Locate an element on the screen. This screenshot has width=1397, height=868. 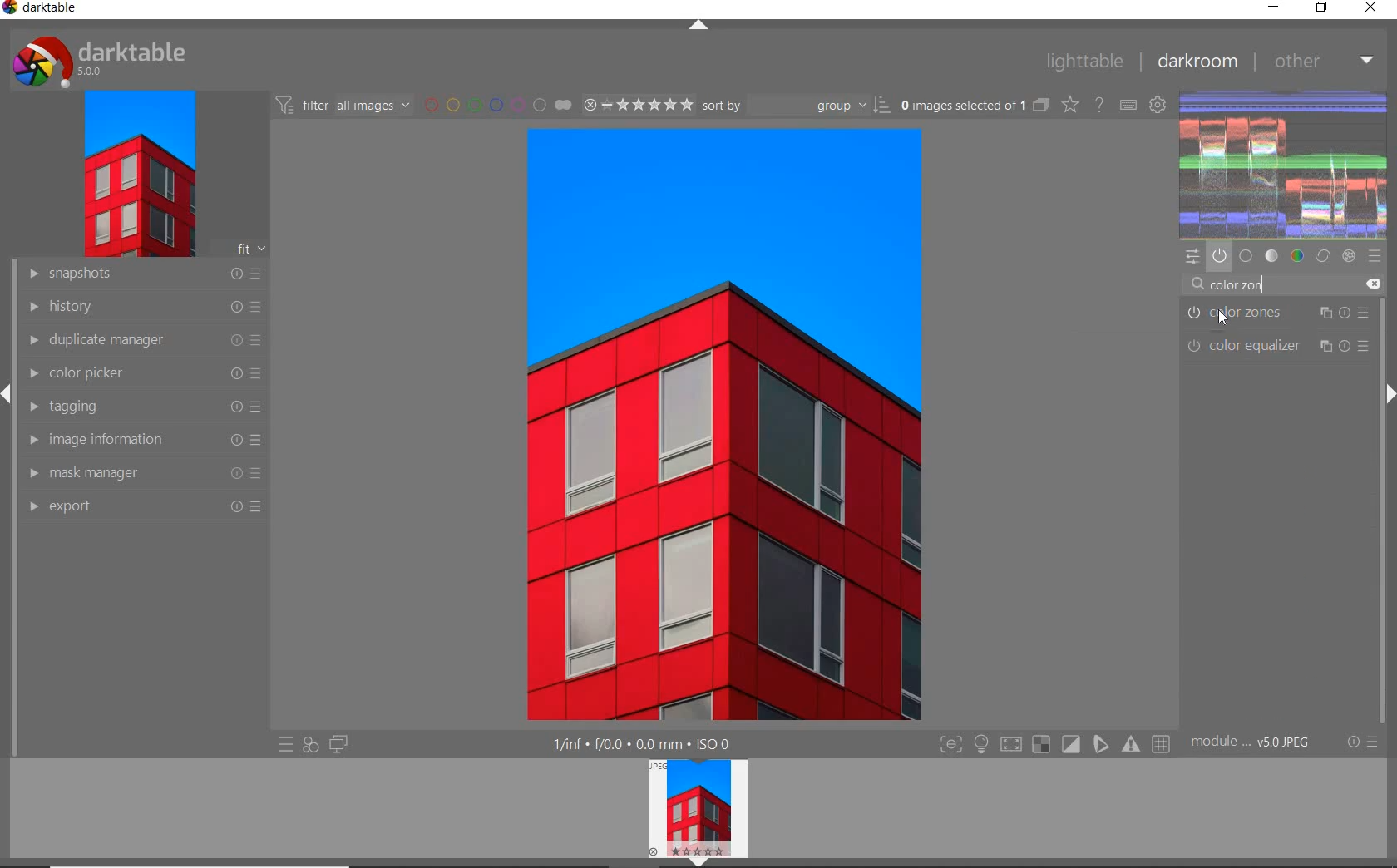
DELETE is located at coordinates (1372, 283).